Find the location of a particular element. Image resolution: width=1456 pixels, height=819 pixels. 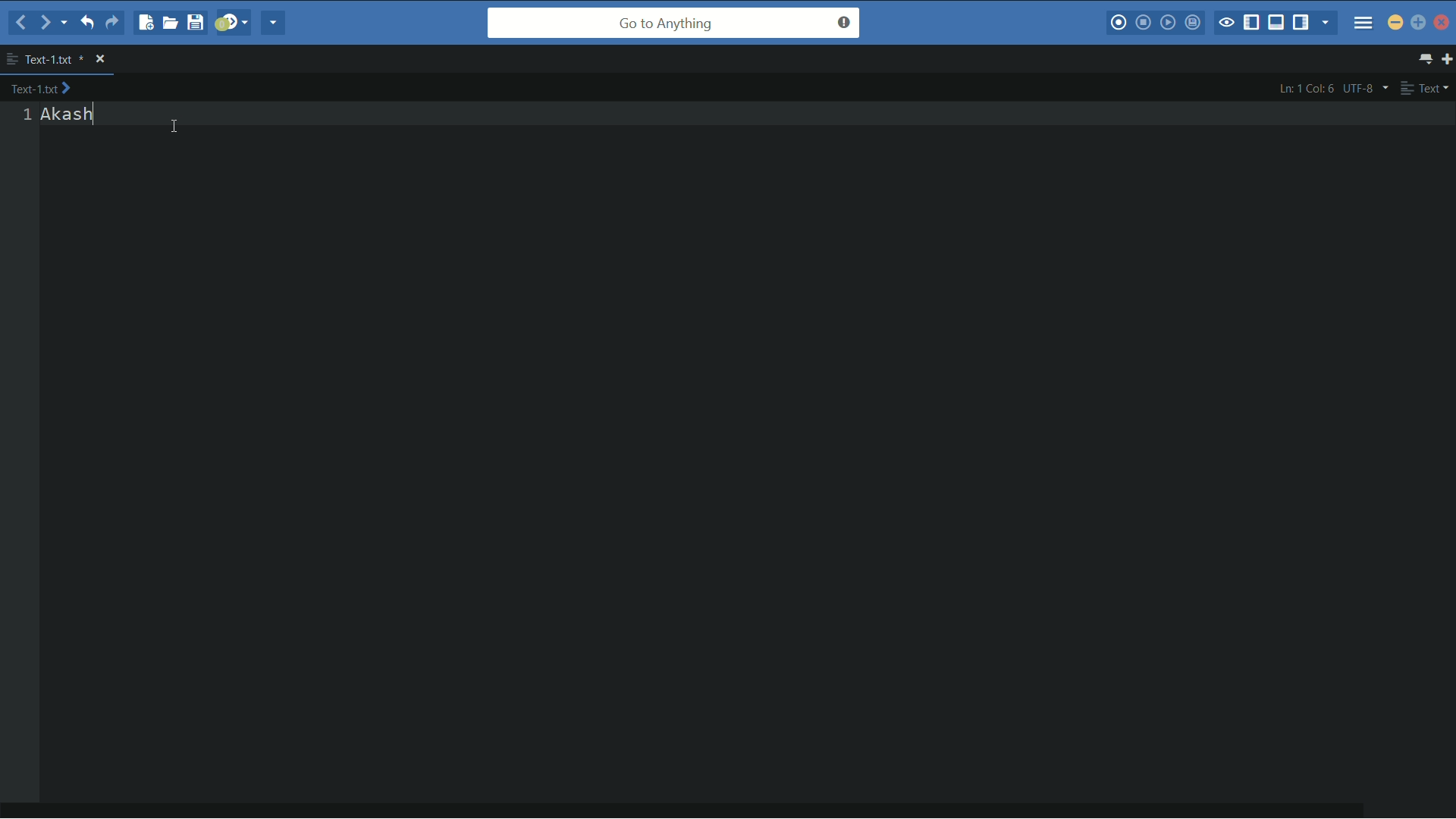

Text-1 File is located at coordinates (54, 58).